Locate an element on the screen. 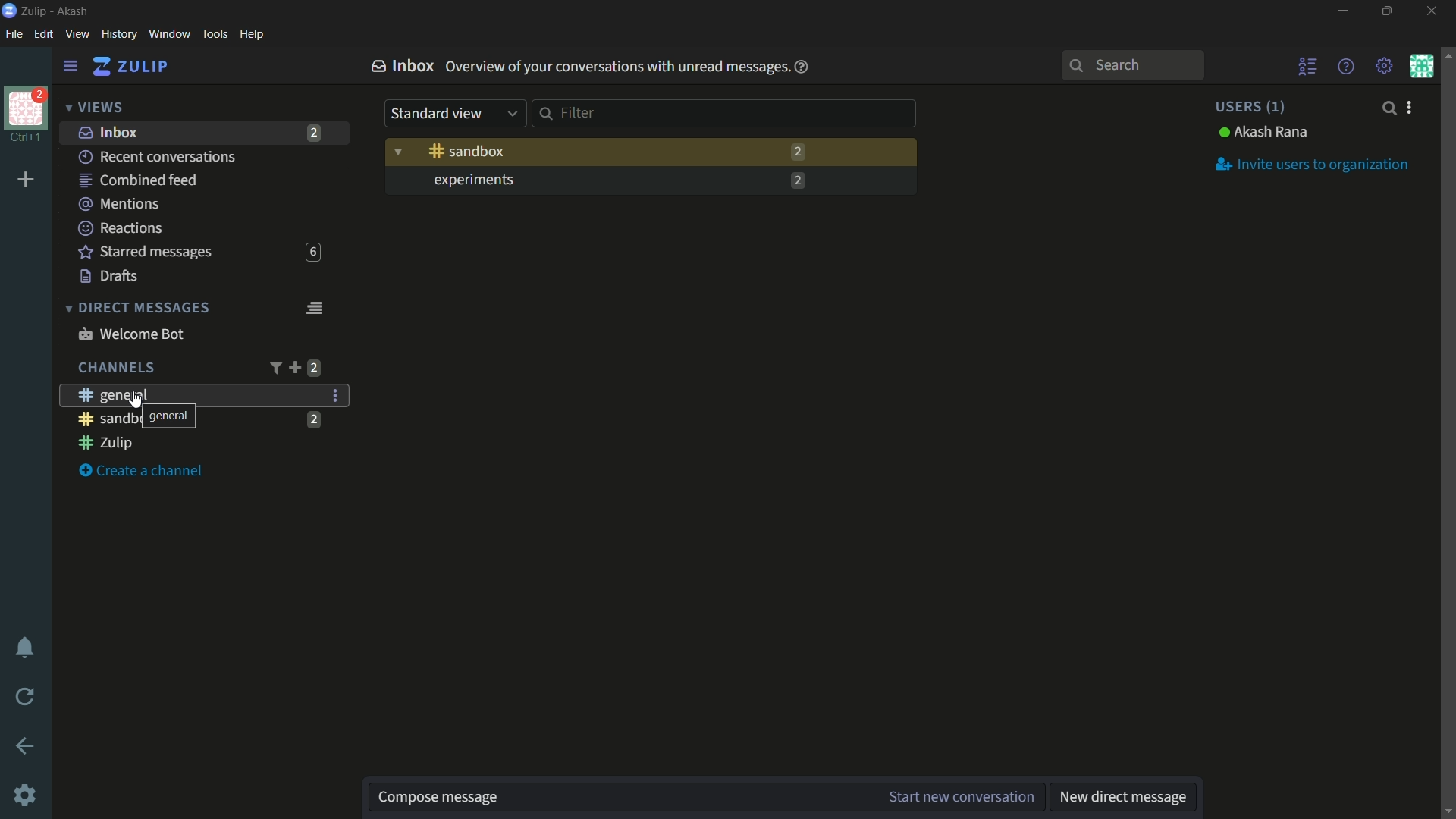 This screenshot has width=1456, height=819. combined feed is located at coordinates (137, 181).